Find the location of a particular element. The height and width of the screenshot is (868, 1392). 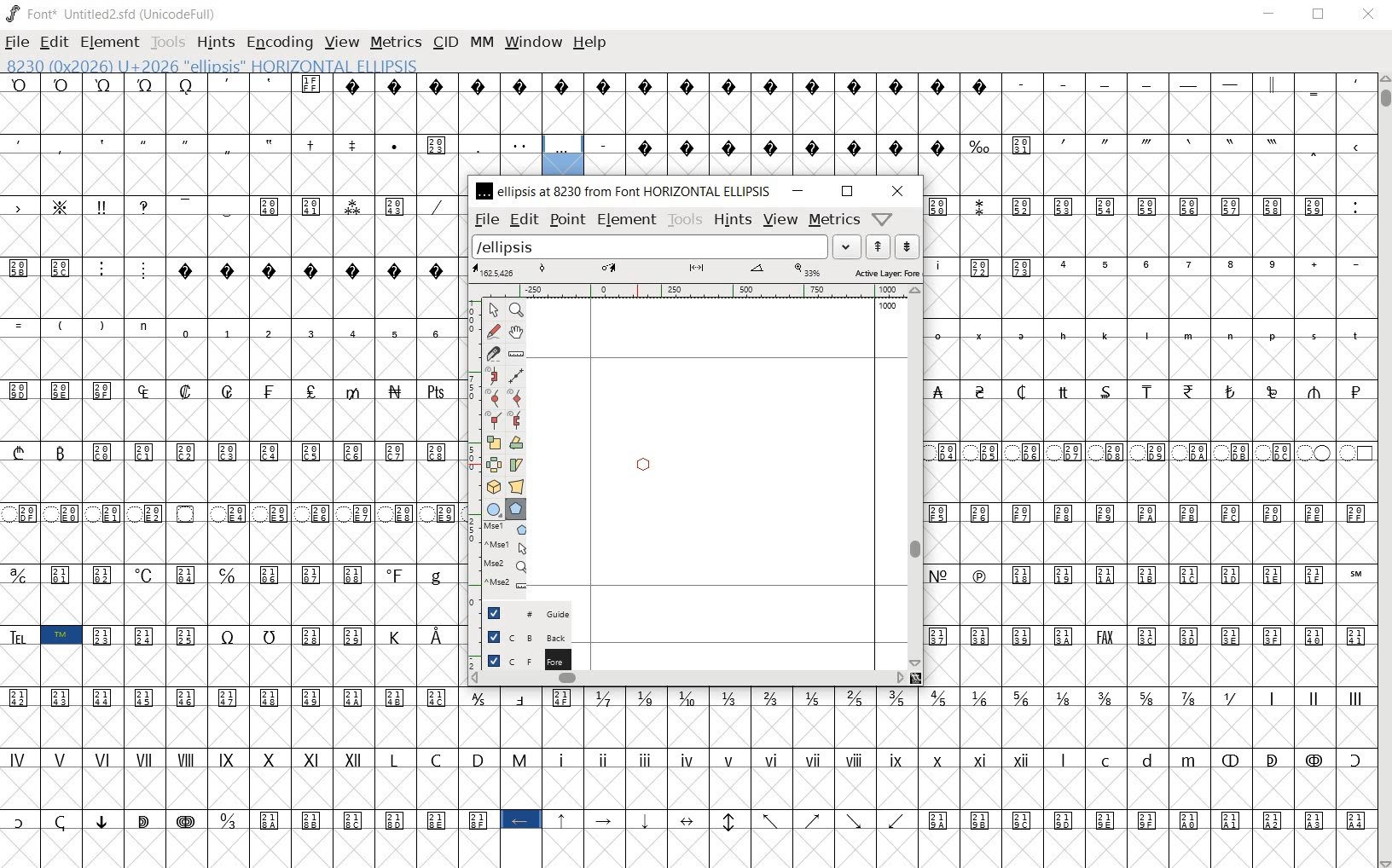

FILE is located at coordinates (17, 42).